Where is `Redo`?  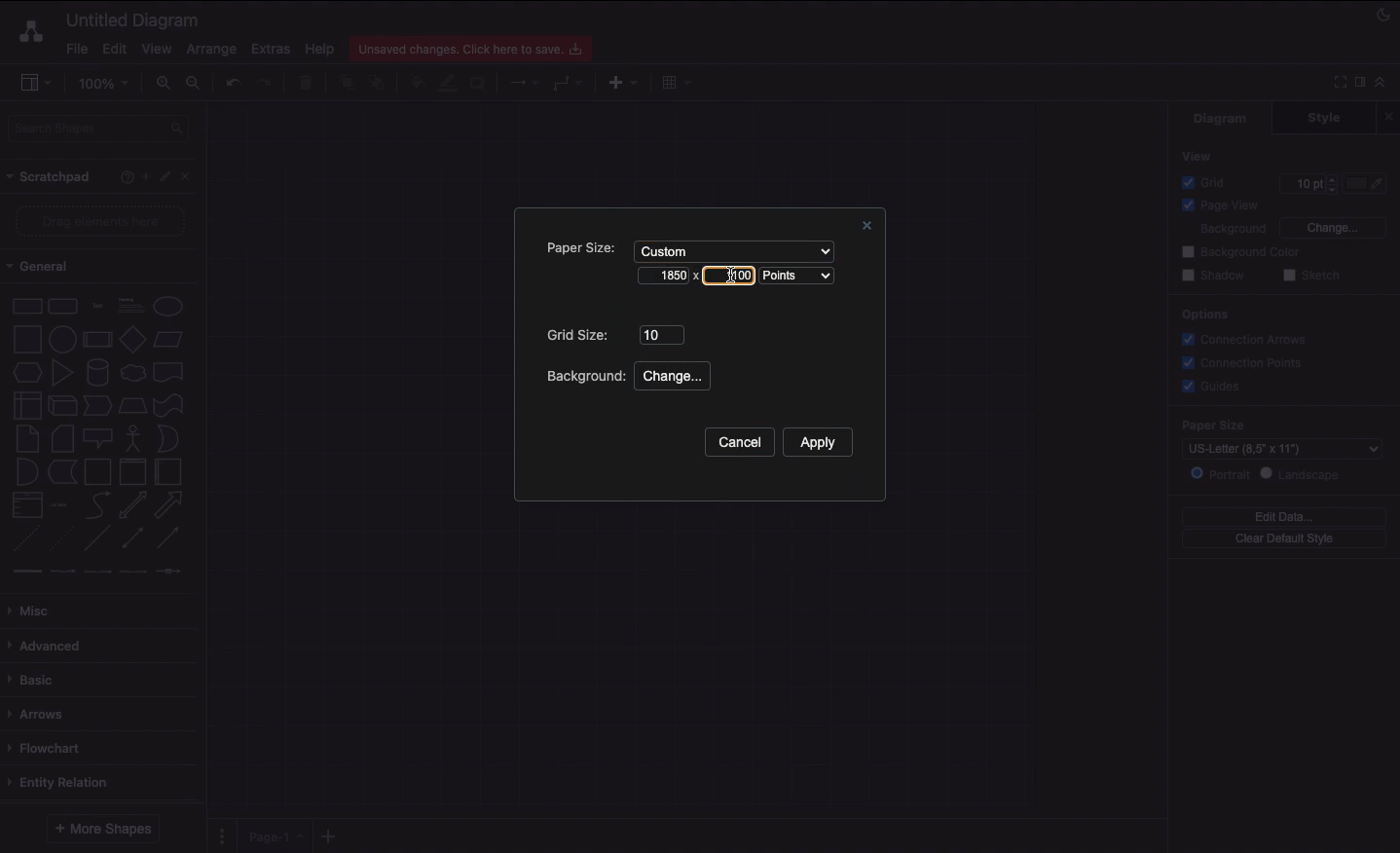 Redo is located at coordinates (264, 84).